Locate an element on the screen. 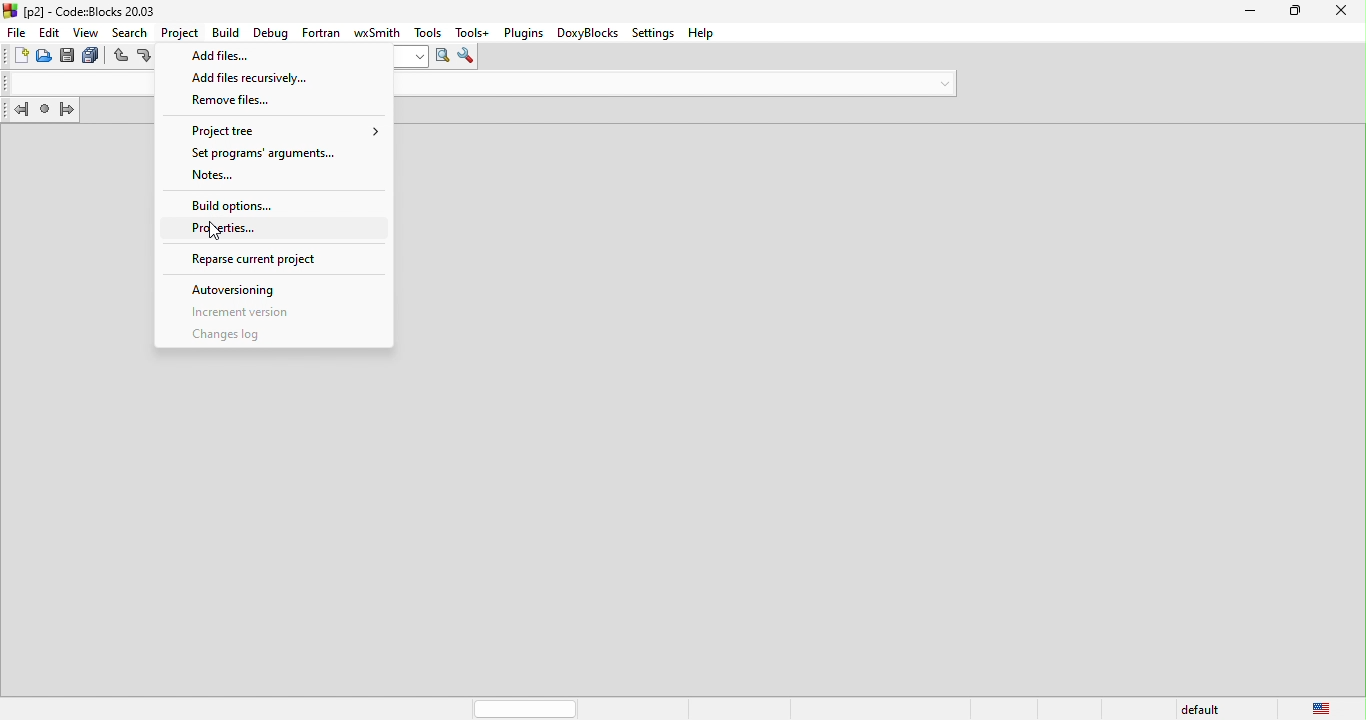 The height and width of the screenshot is (720, 1366). plugins is located at coordinates (521, 33).